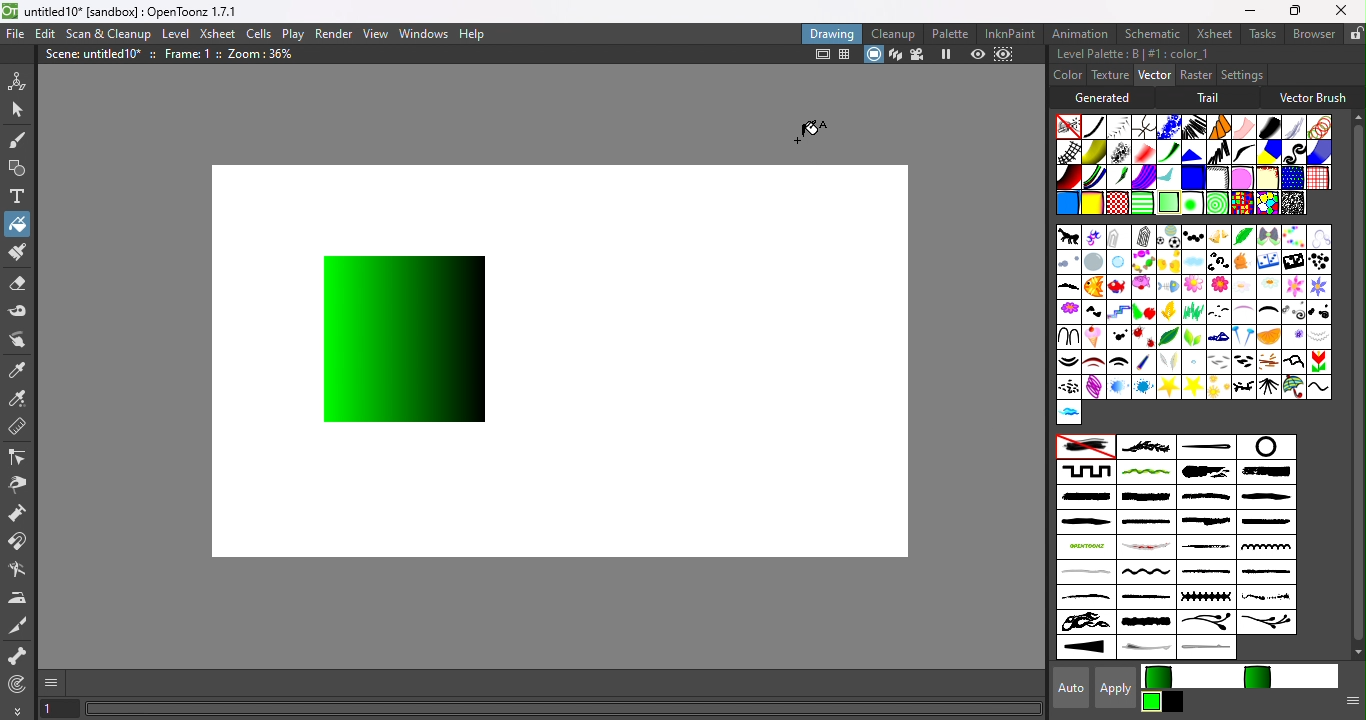  I want to click on Dashes, so click(1193, 126).